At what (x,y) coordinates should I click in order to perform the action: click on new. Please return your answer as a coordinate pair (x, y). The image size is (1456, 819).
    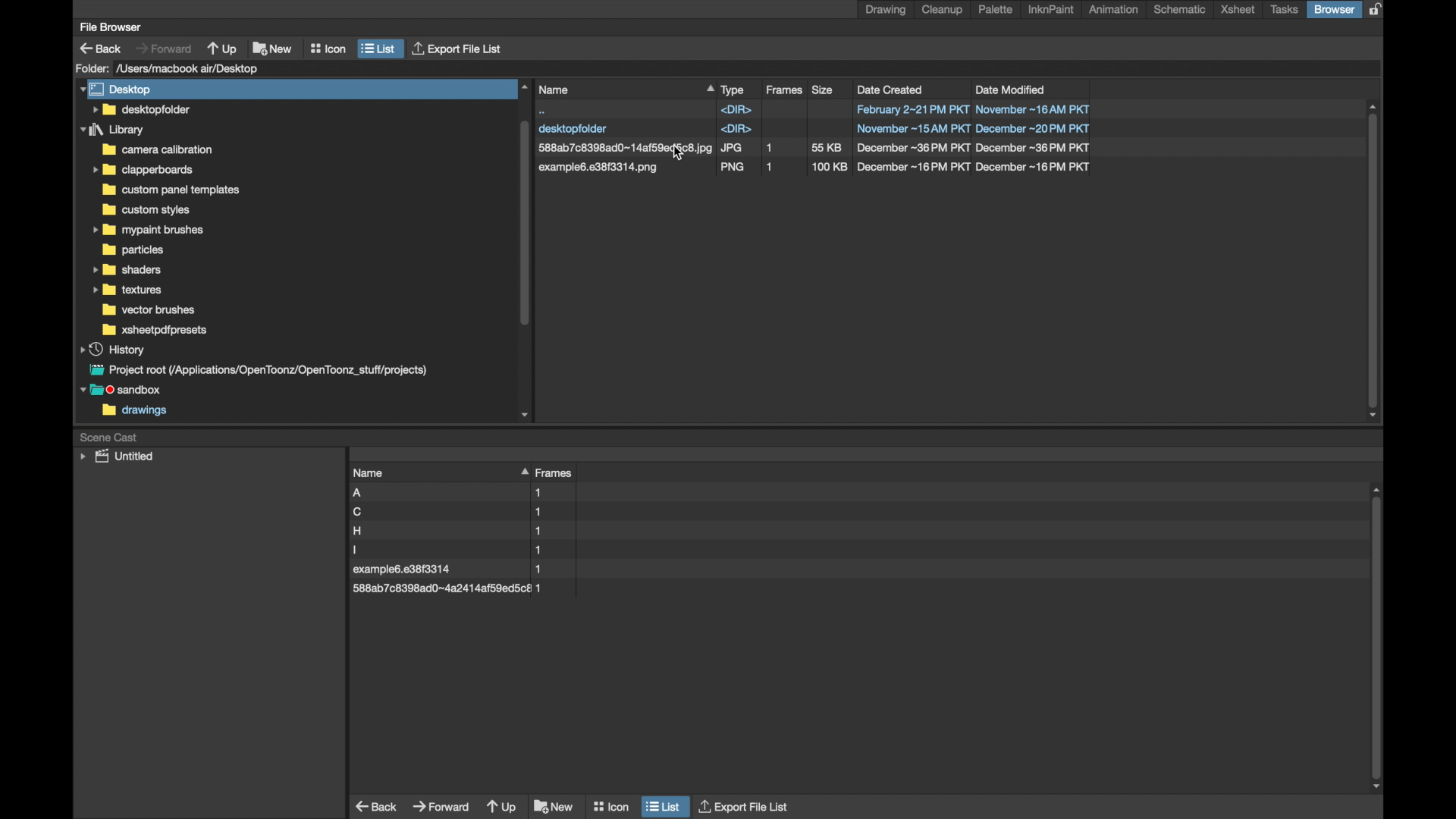
    Looking at the image, I should click on (272, 47).